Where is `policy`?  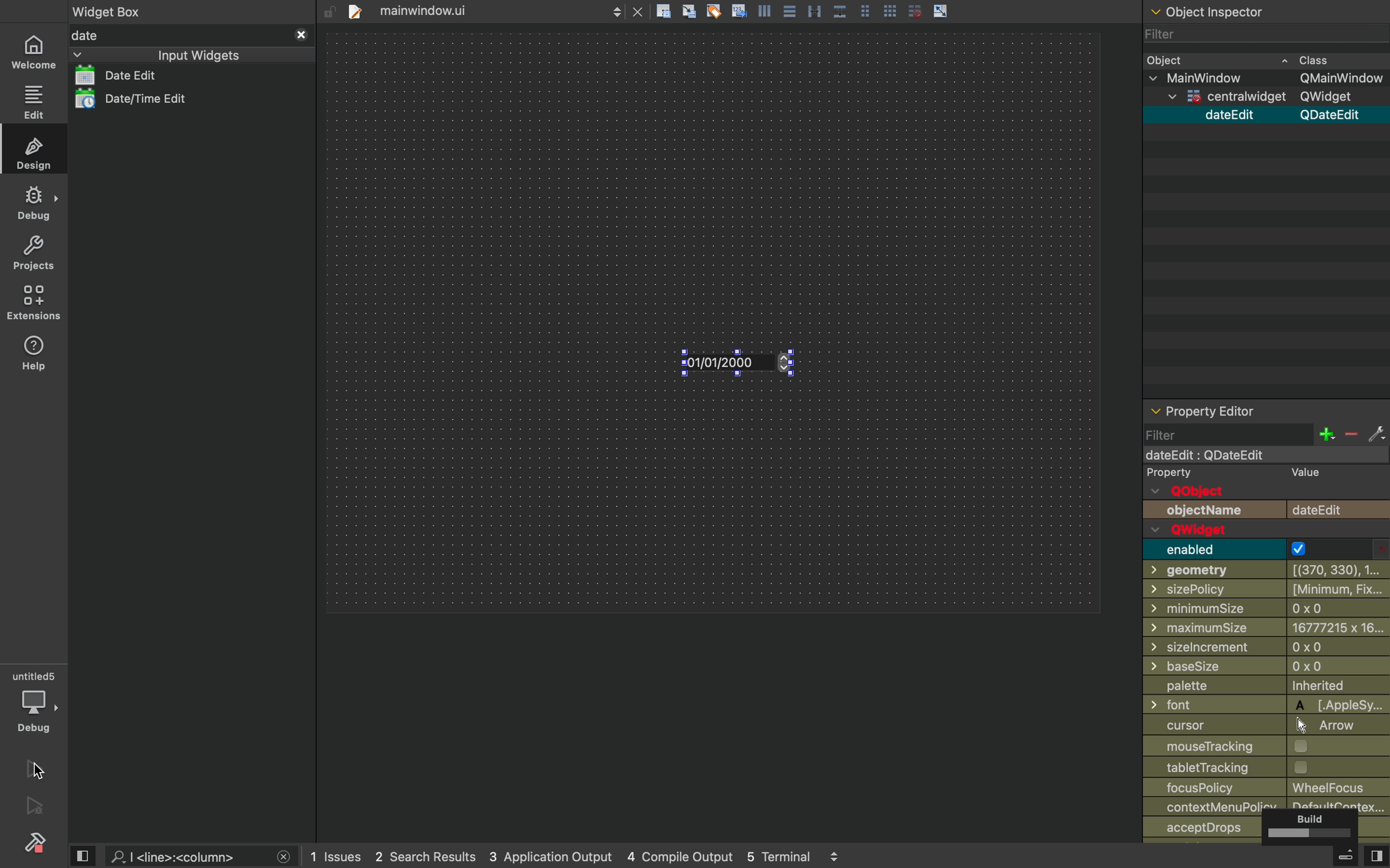
policy is located at coordinates (1214, 806).